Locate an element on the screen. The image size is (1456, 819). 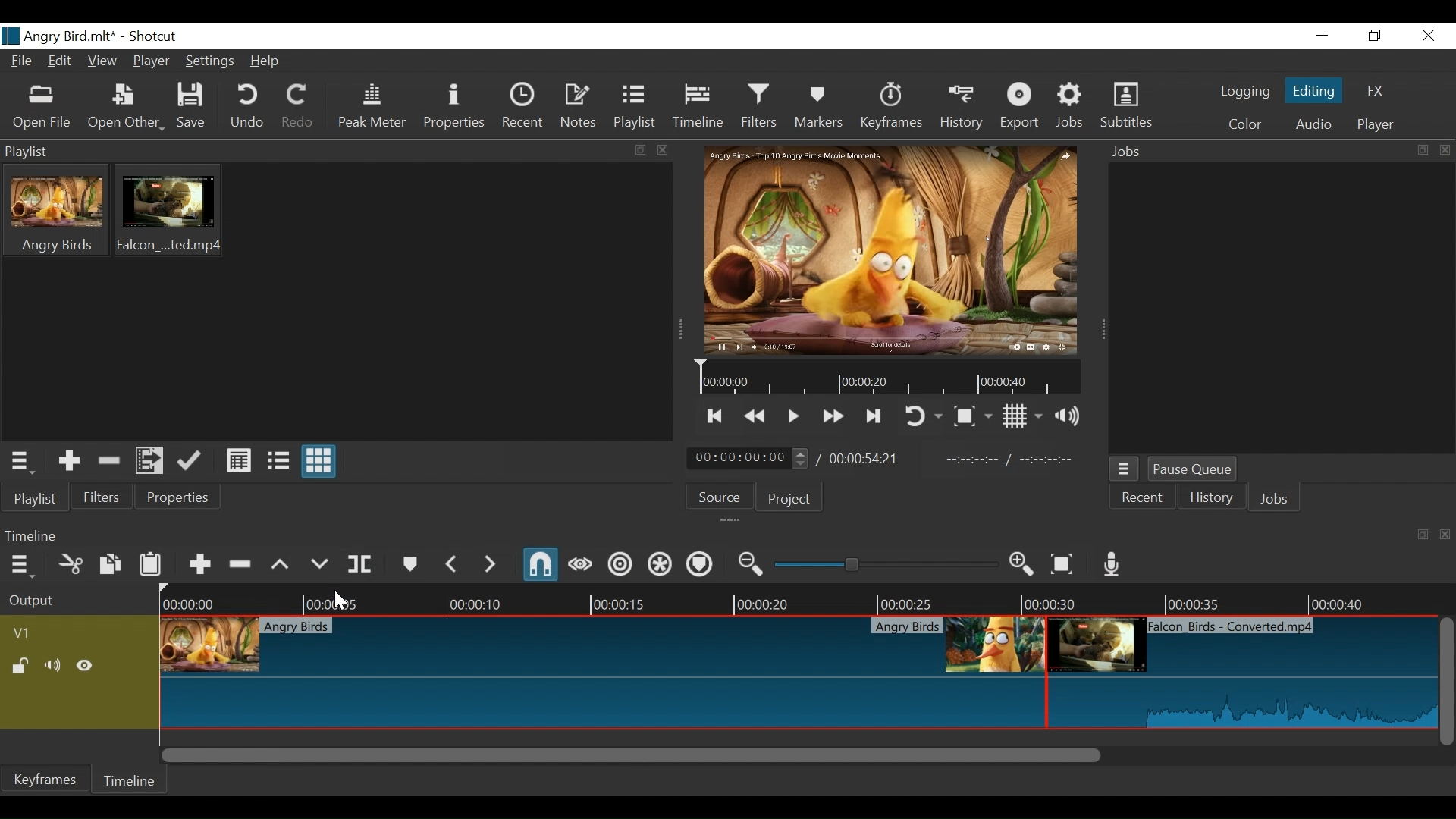
 is located at coordinates (727, 535).